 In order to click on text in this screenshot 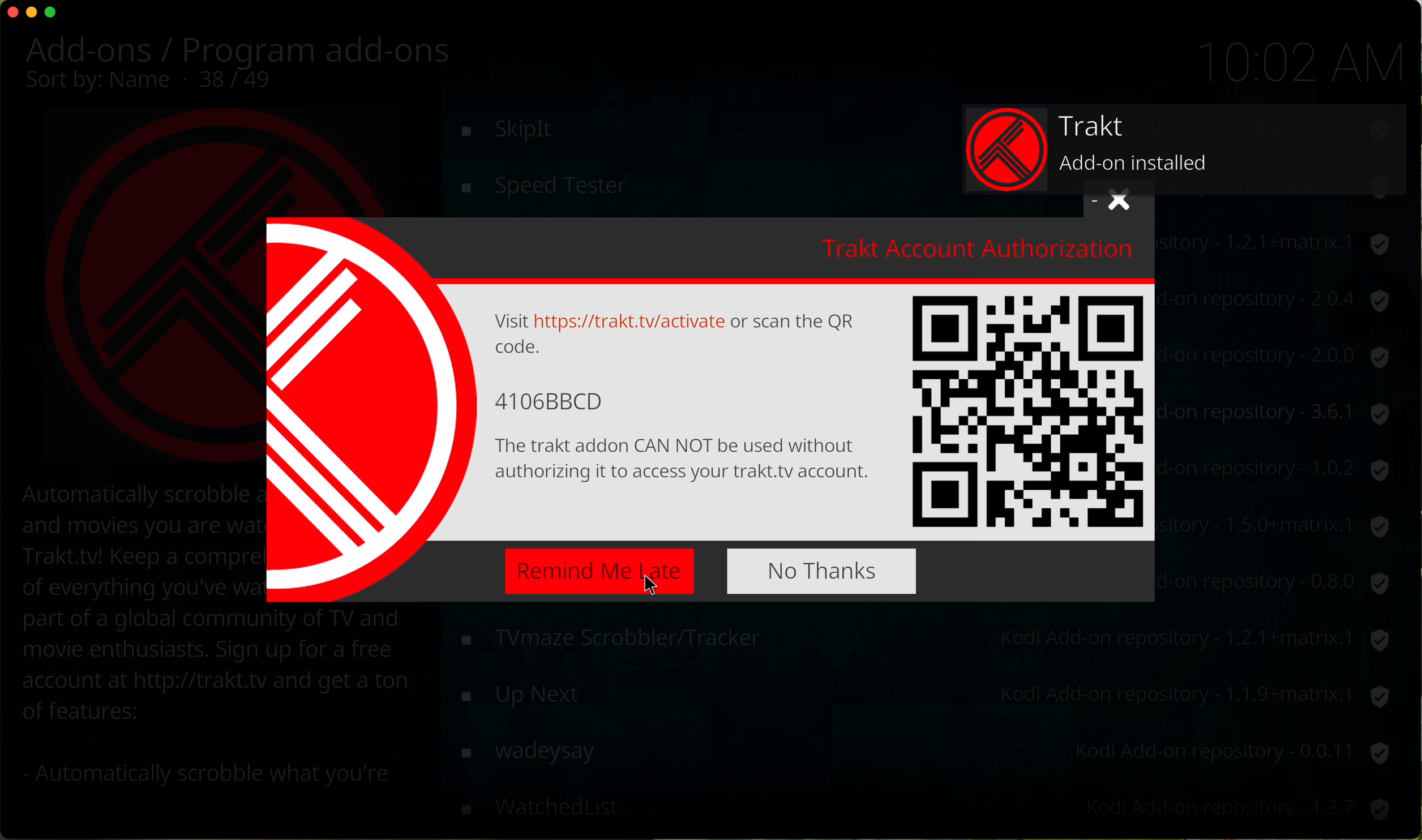, I will do `click(680, 329)`.